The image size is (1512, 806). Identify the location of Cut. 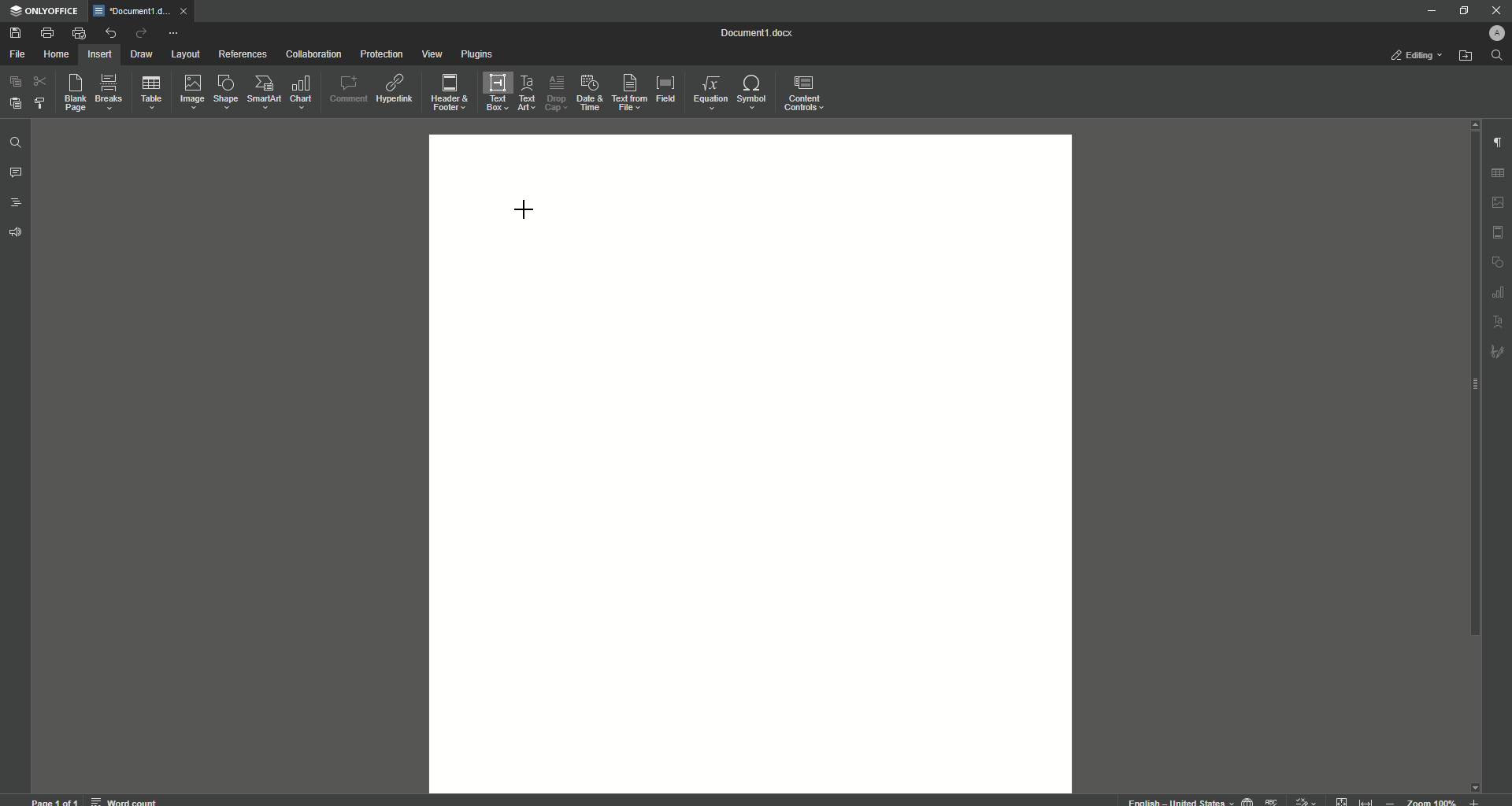
(42, 80).